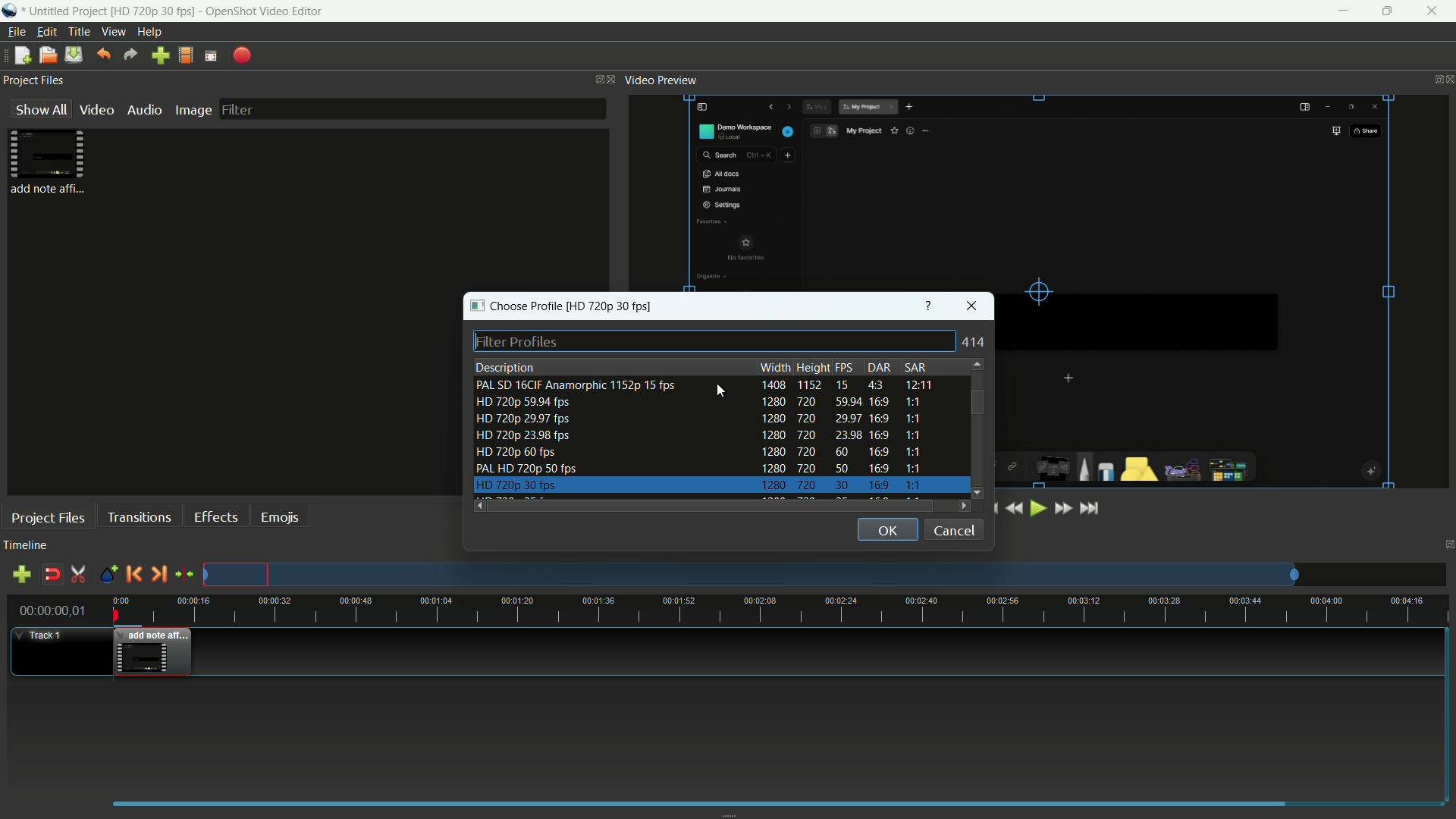 This screenshot has height=819, width=1456. Describe the element at coordinates (160, 56) in the screenshot. I see `import files` at that location.